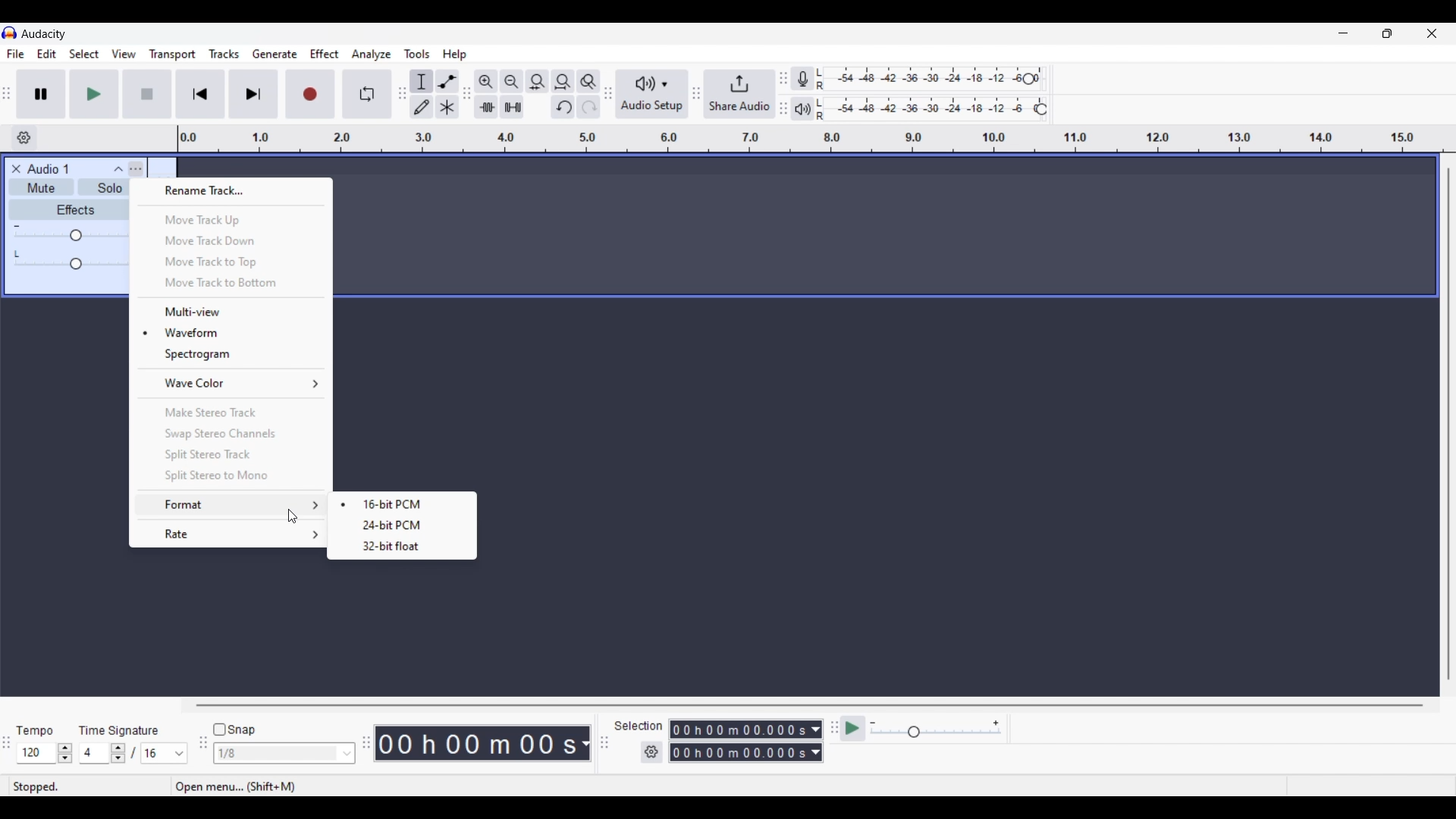 This screenshot has width=1456, height=819. What do you see at coordinates (928, 80) in the screenshot?
I see `Recording level` at bounding box center [928, 80].